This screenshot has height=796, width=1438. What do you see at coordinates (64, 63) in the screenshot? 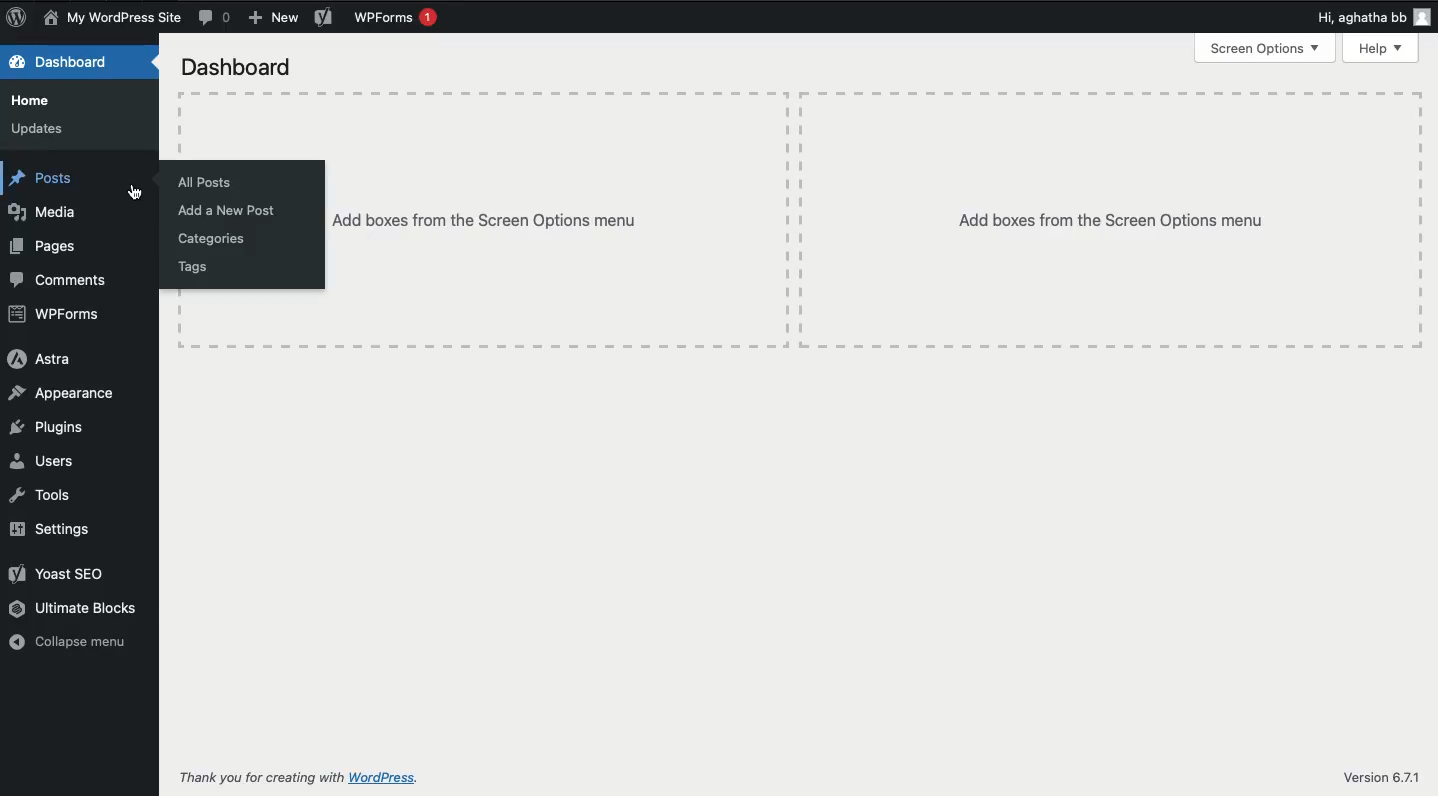
I see `Dashboard` at bounding box center [64, 63].